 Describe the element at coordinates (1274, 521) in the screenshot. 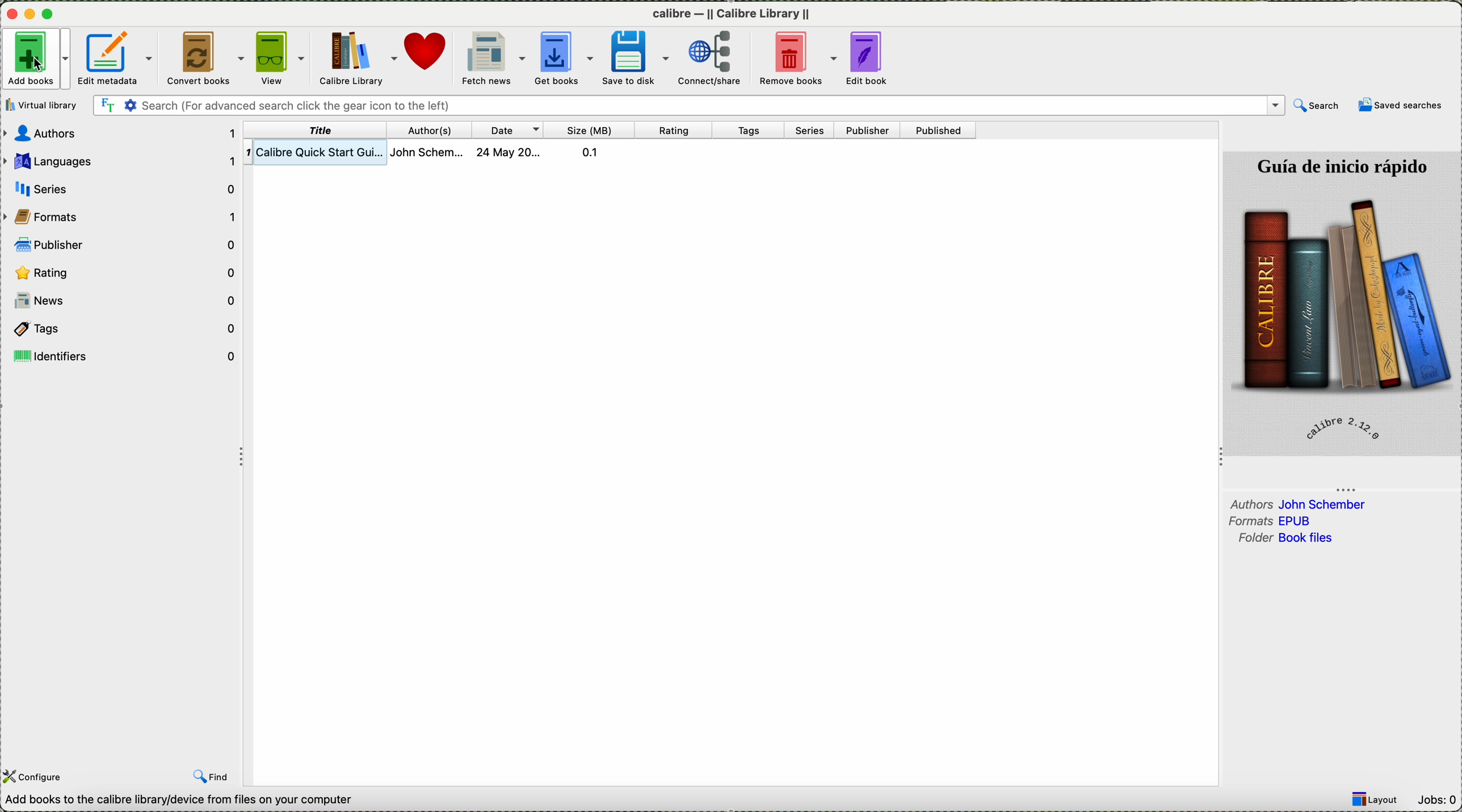

I see `formats` at that location.